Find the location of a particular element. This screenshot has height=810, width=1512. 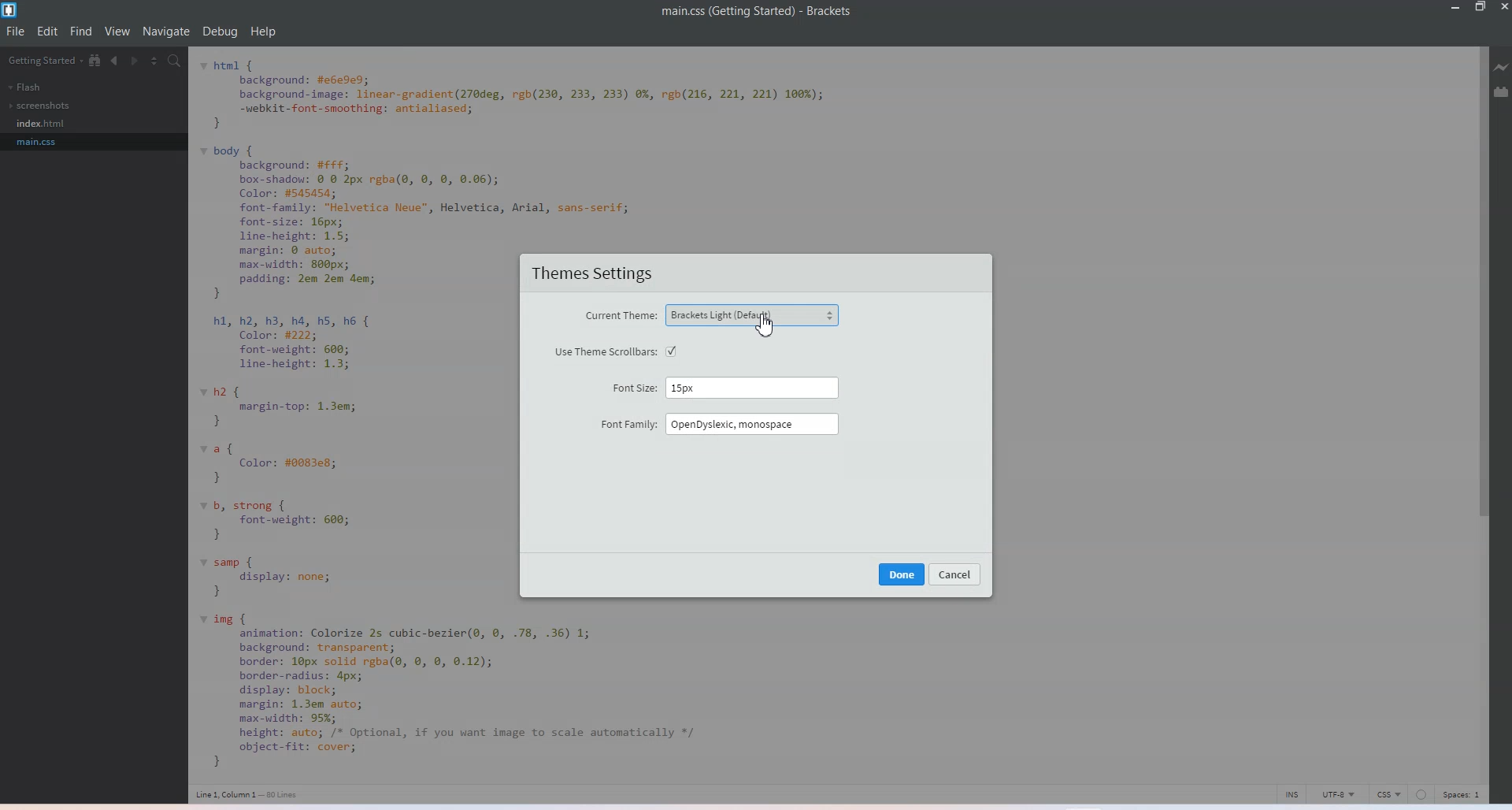

Navigate Backward is located at coordinates (117, 61).